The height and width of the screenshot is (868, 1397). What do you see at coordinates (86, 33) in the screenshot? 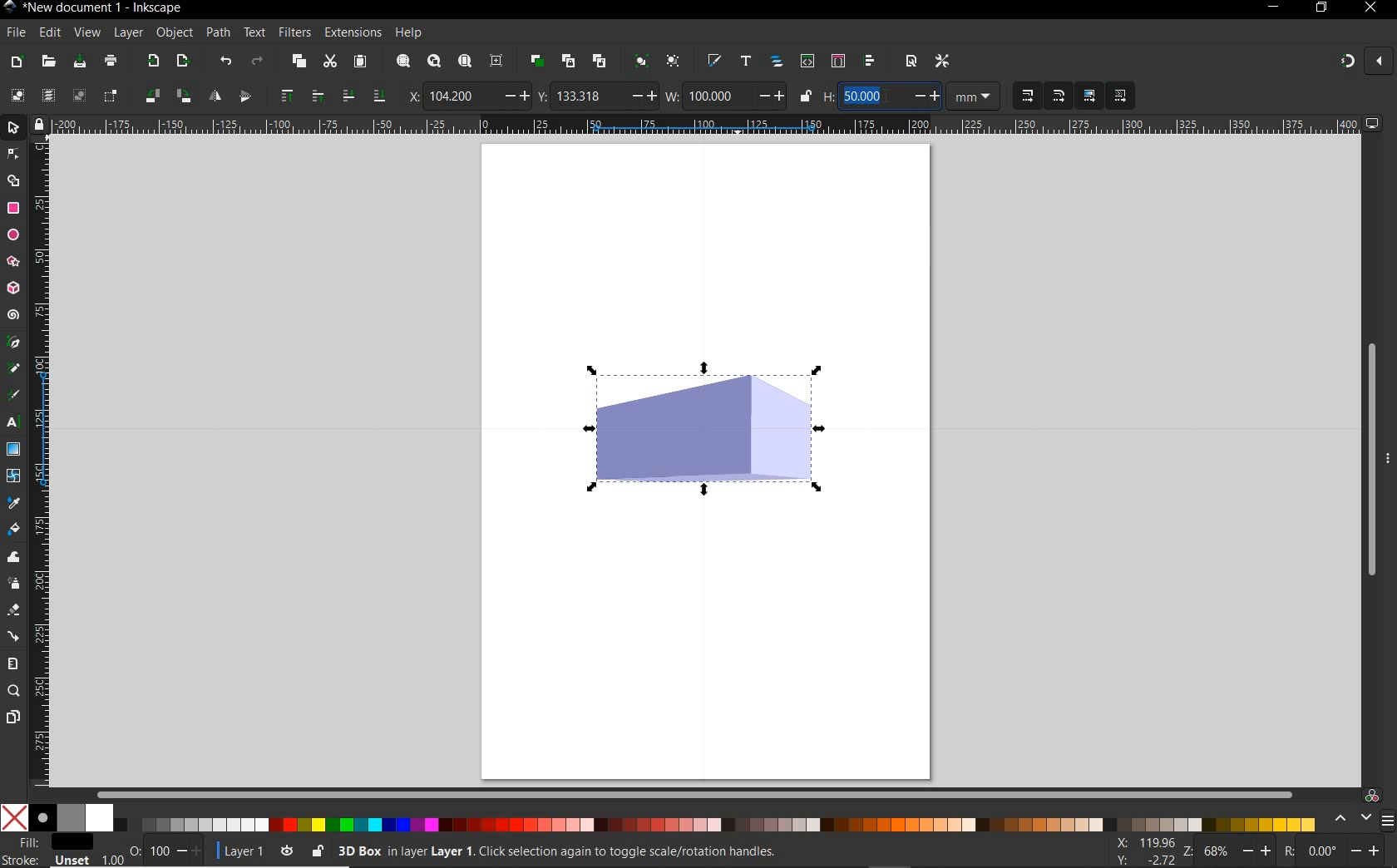
I see `view` at bounding box center [86, 33].